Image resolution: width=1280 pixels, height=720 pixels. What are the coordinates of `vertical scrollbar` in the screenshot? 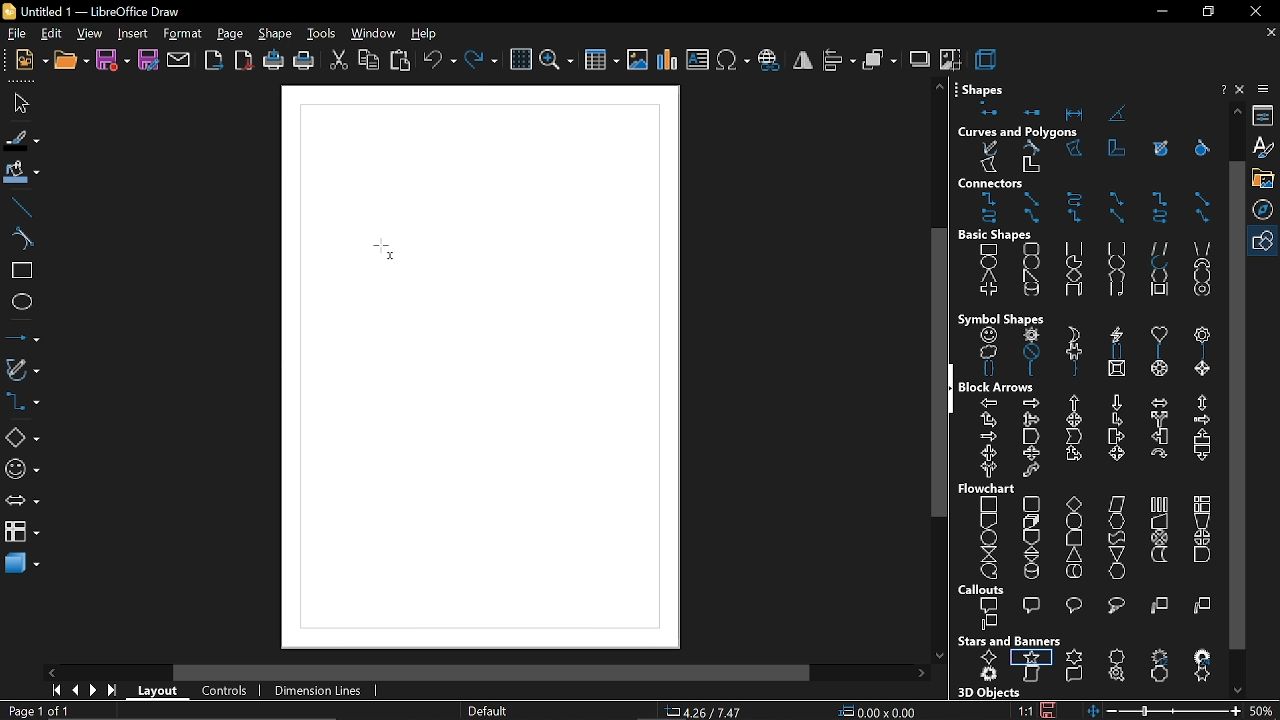 It's located at (1237, 405).